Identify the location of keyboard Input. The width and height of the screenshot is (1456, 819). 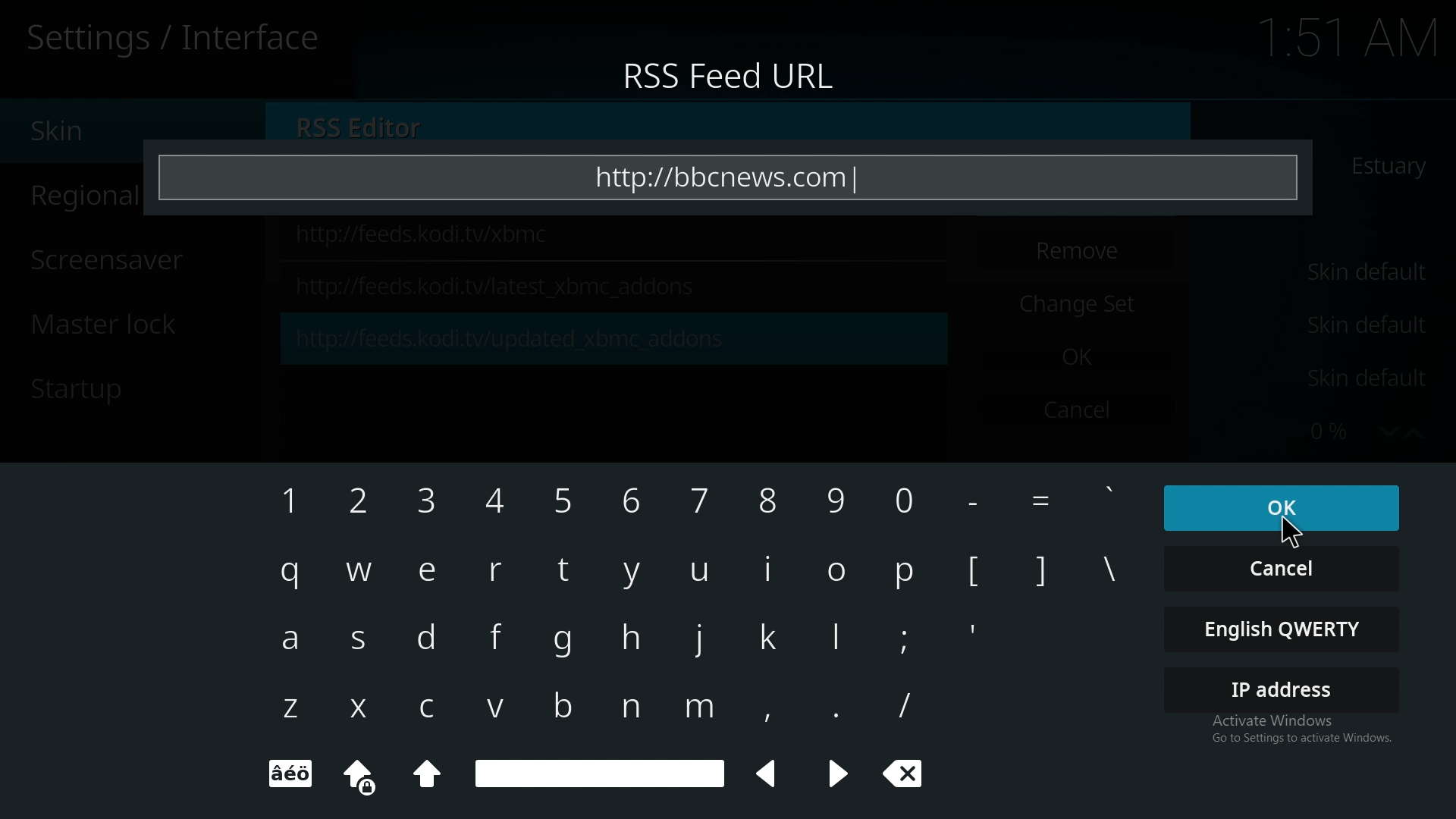
(767, 502).